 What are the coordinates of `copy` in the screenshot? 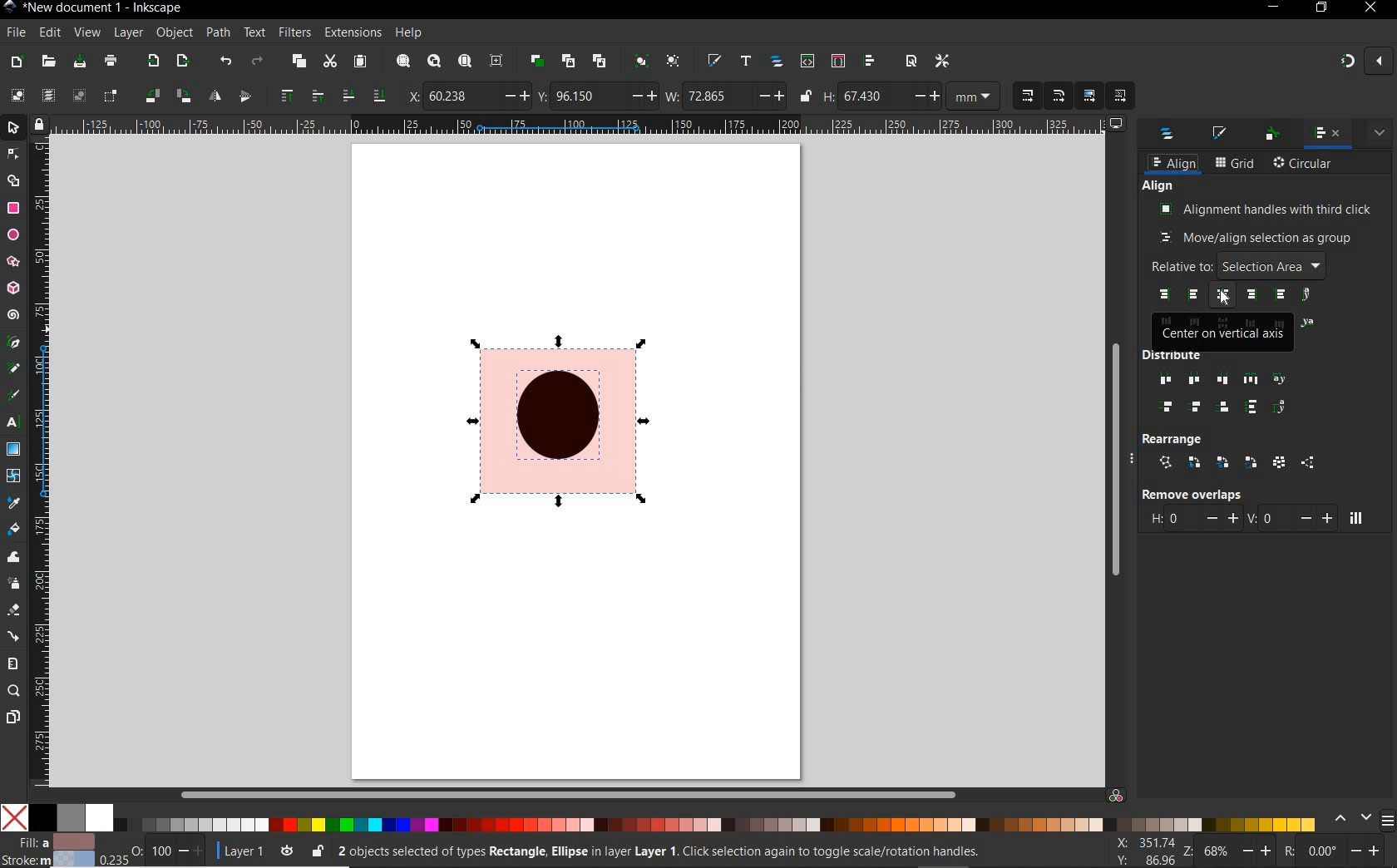 It's located at (299, 62).